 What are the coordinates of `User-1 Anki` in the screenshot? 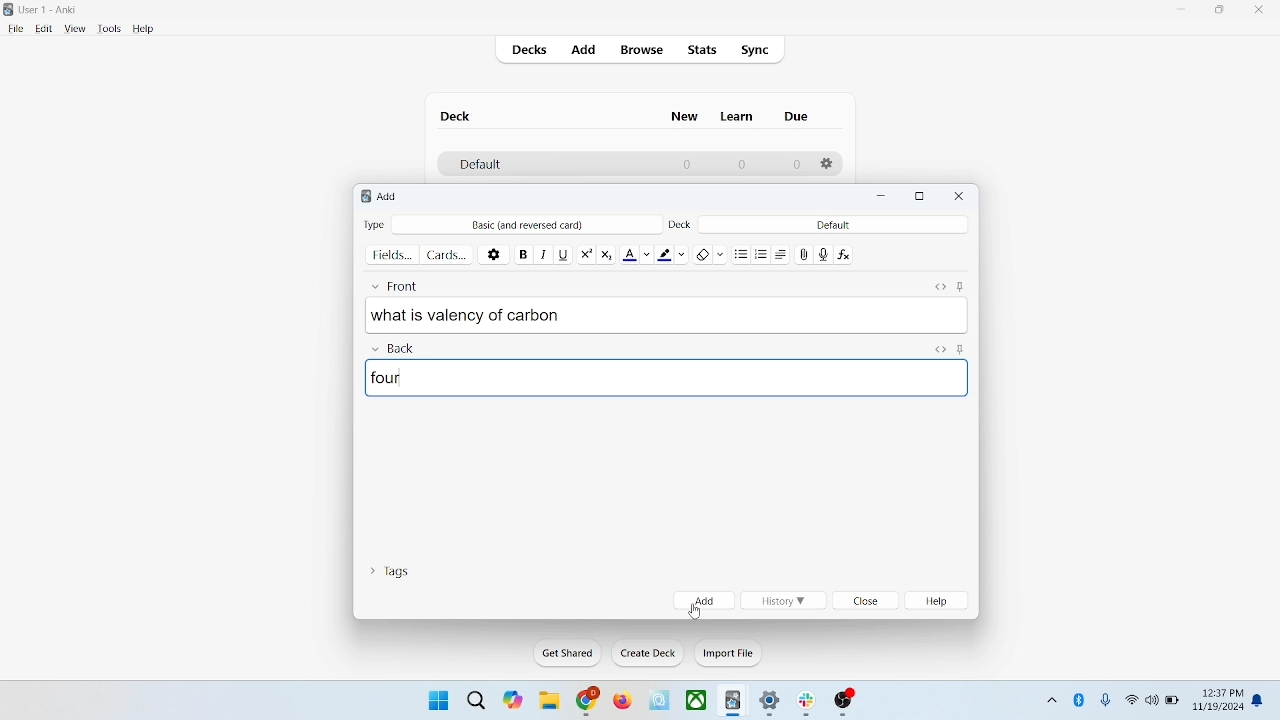 It's located at (52, 11).